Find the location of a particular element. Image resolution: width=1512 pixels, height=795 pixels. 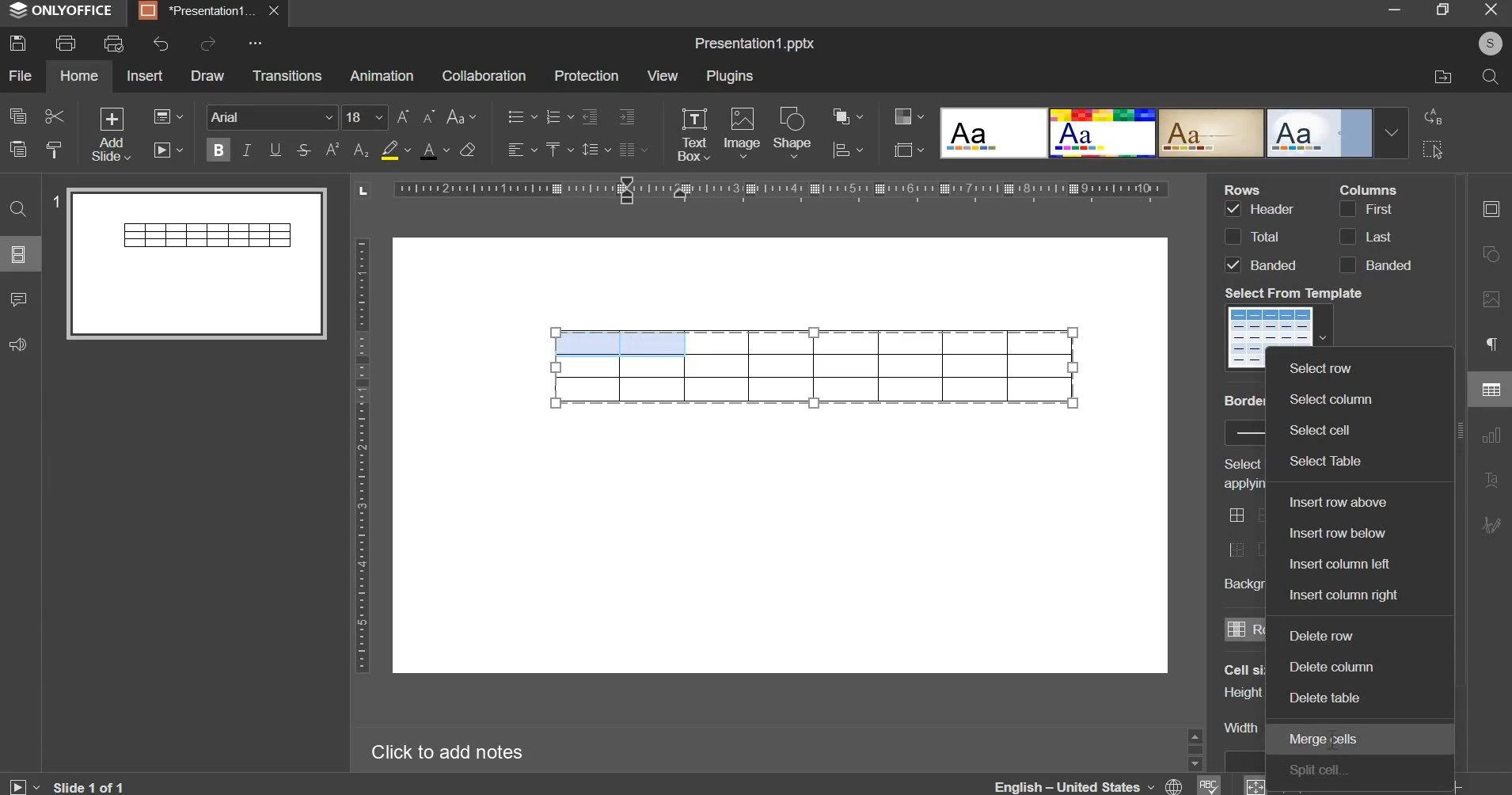

copy is located at coordinates (18, 115).